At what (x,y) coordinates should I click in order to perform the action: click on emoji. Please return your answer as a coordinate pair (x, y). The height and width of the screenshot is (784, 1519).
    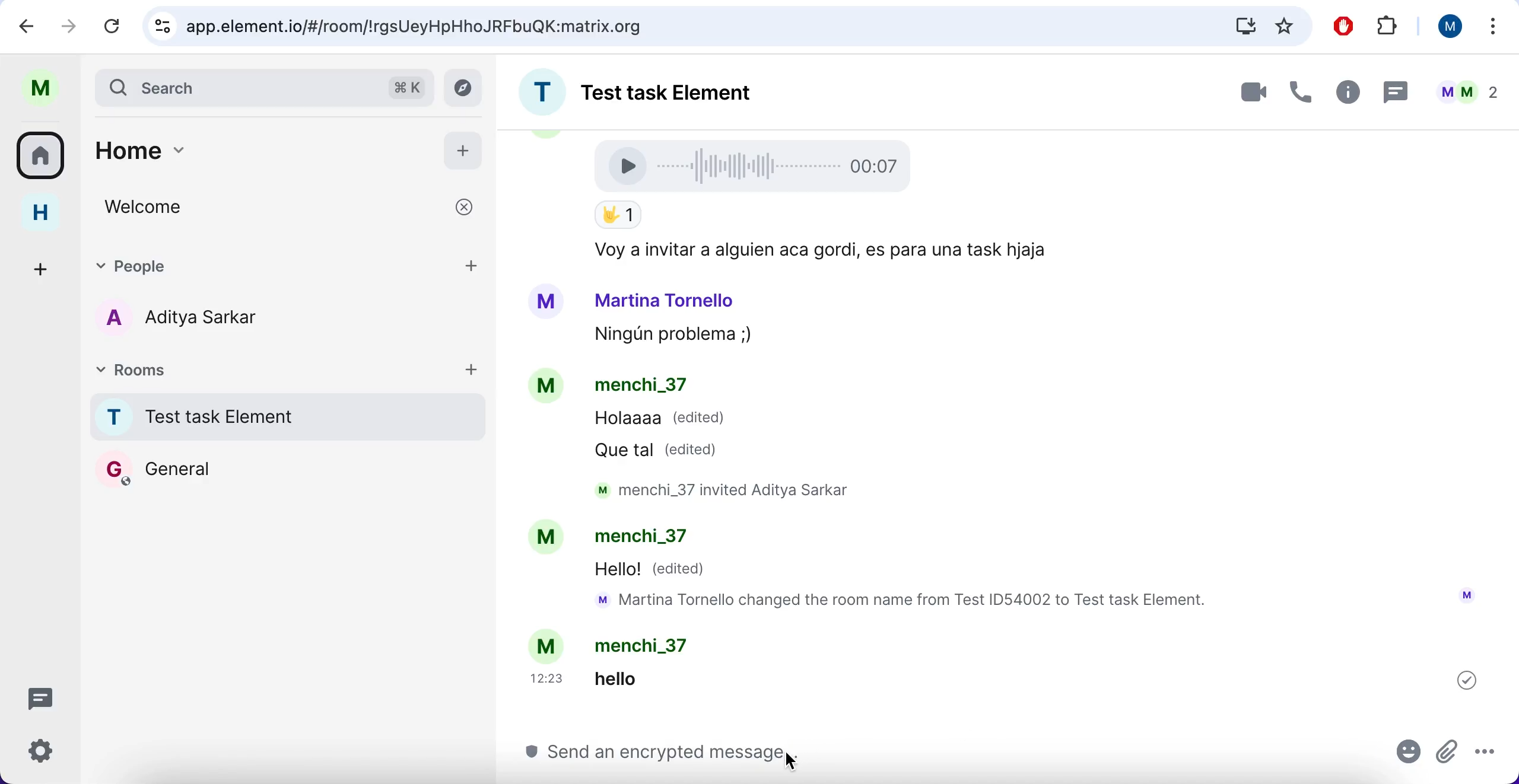
    Looking at the image, I should click on (1410, 756).